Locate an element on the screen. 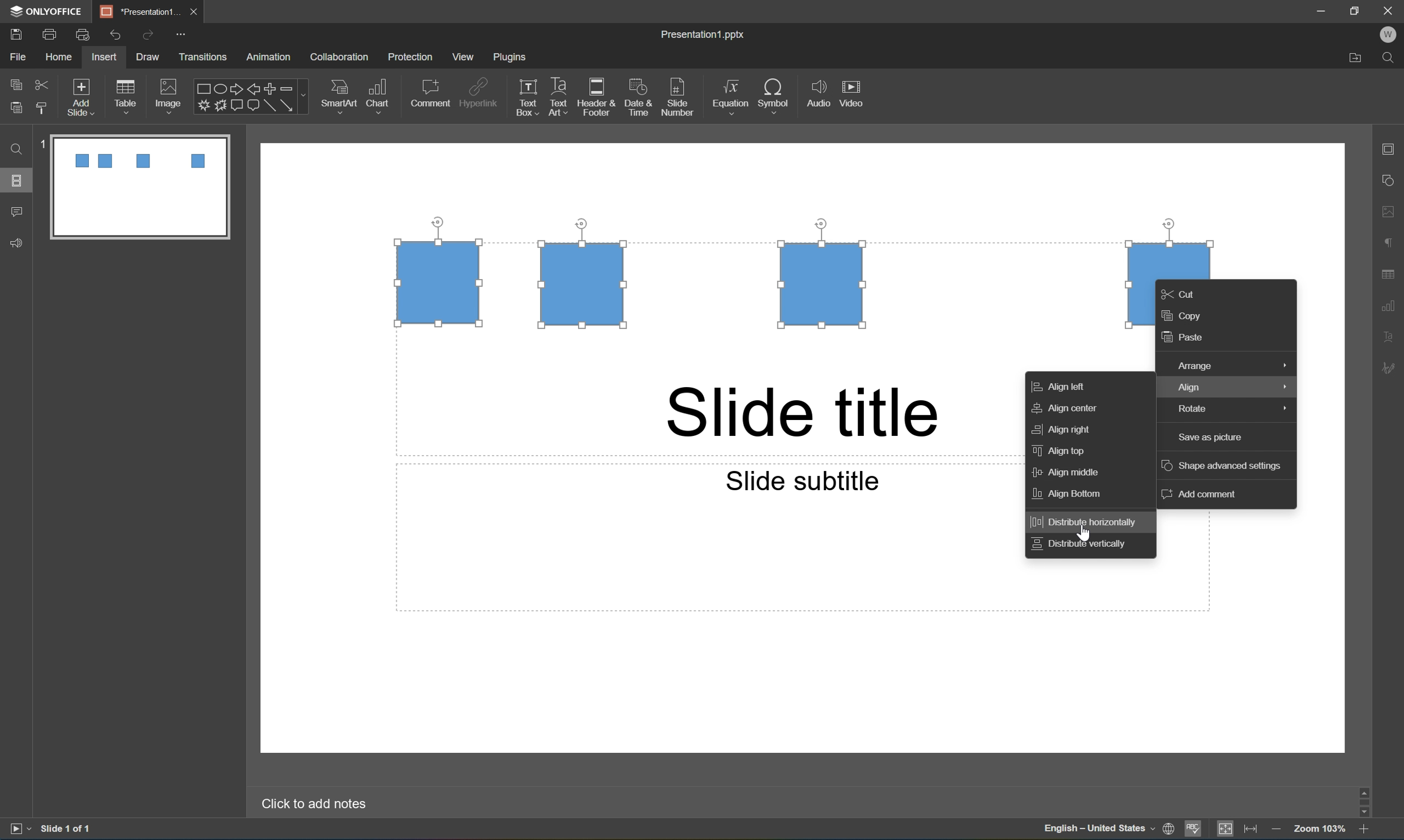 This screenshot has width=1404, height=840. slide number is located at coordinates (678, 98).